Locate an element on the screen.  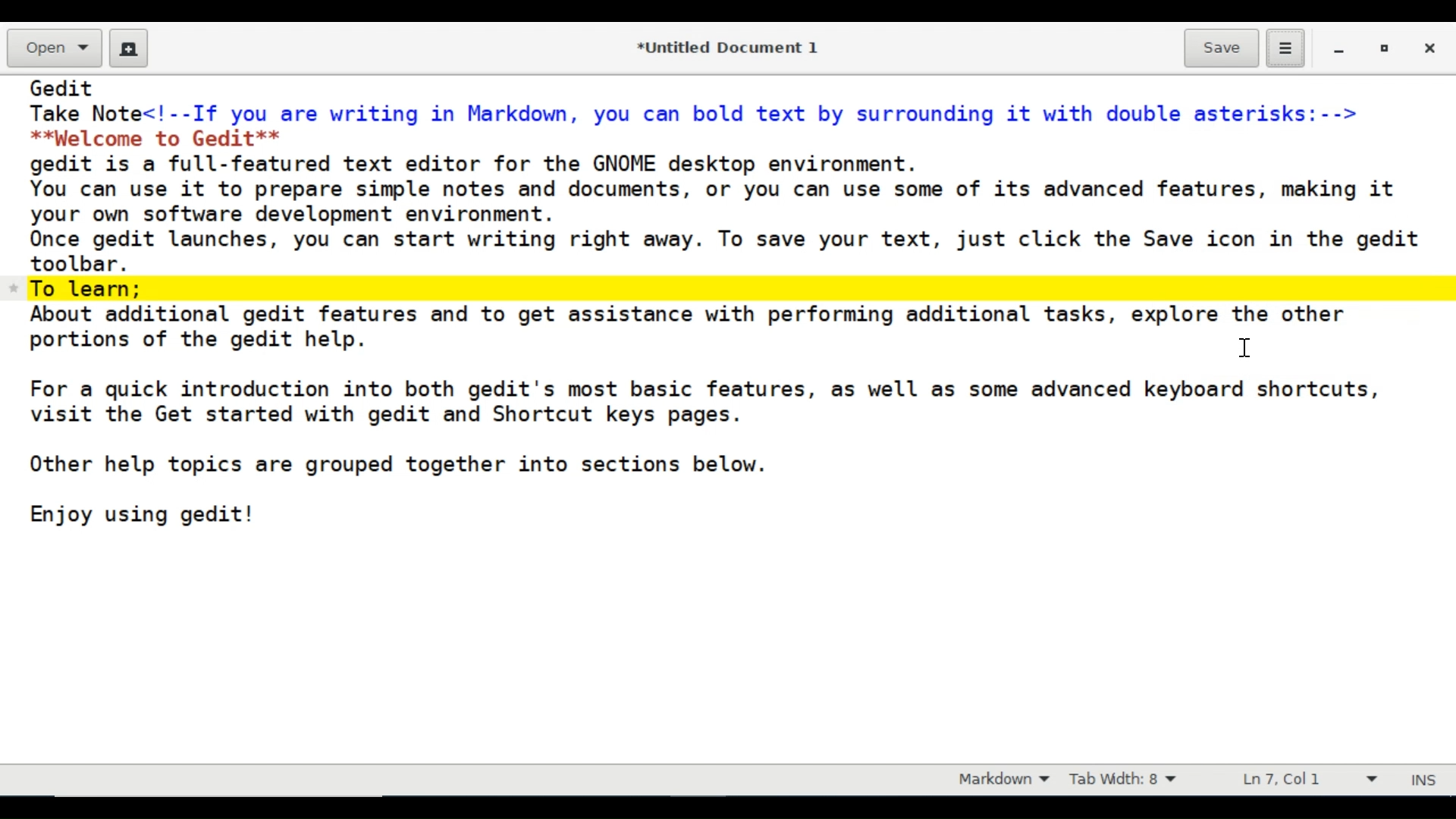
Open is located at coordinates (53, 49).